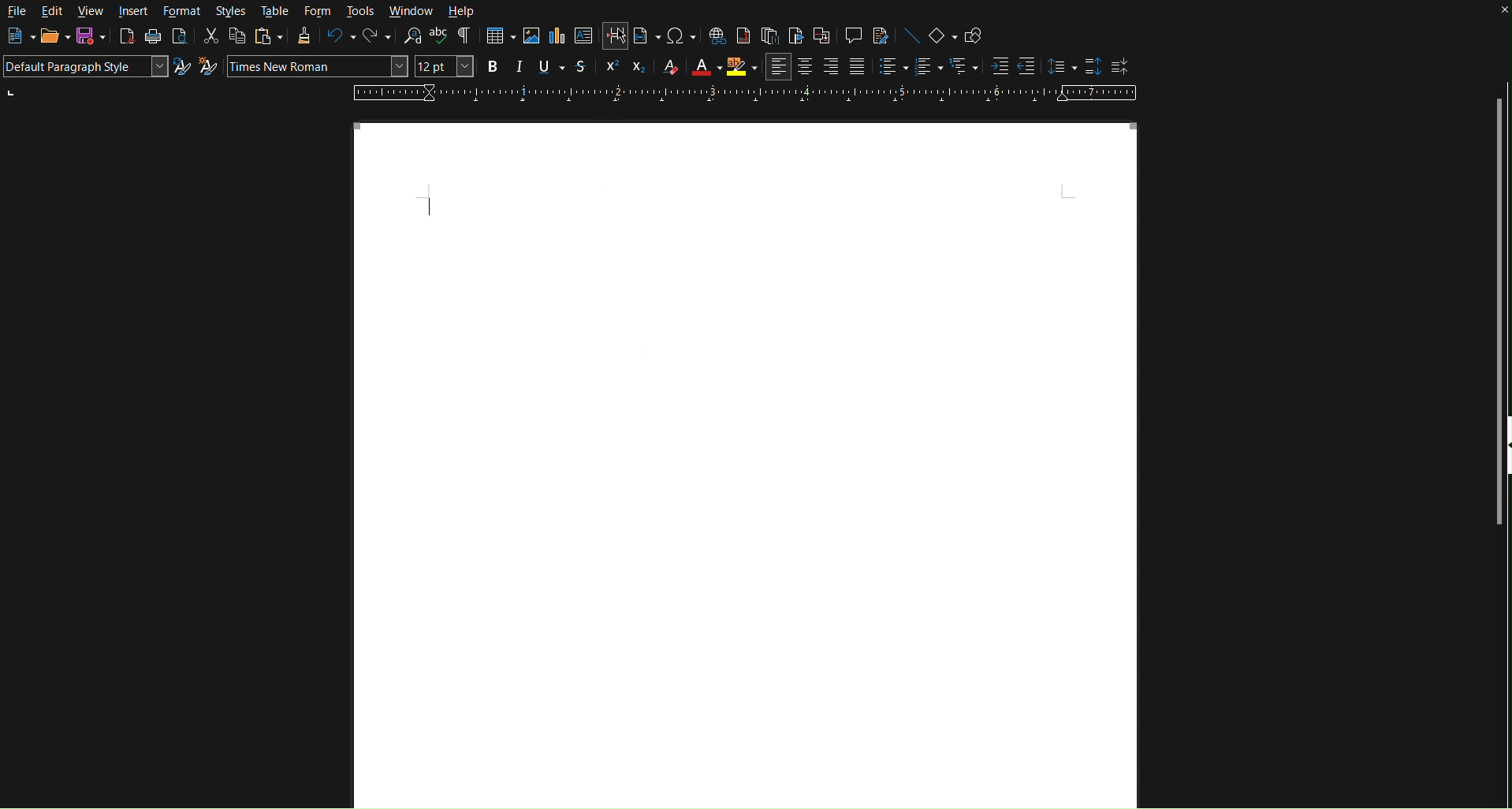  I want to click on Default Paragraph Style, so click(85, 68).